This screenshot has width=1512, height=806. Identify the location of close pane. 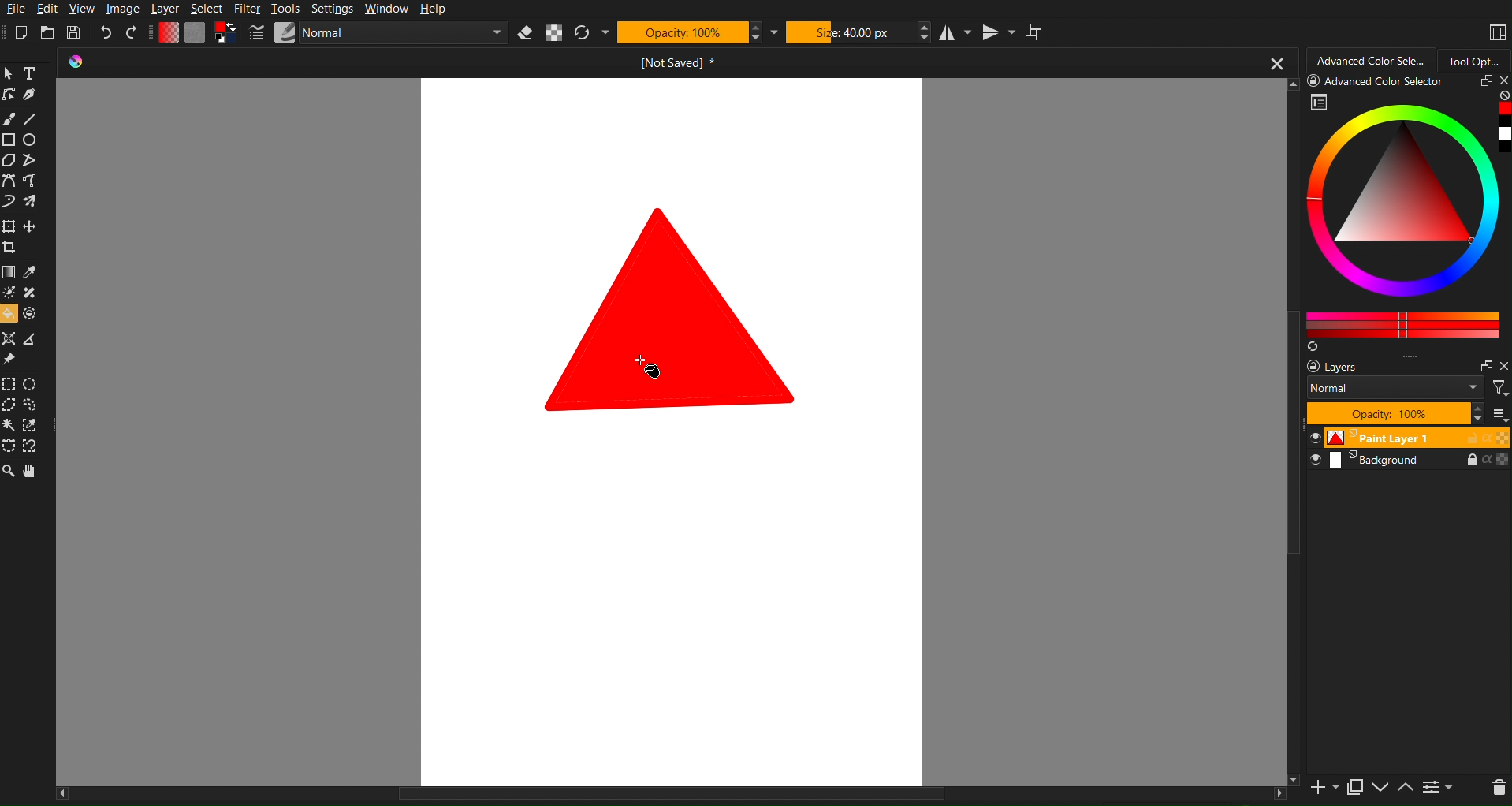
(1503, 366).